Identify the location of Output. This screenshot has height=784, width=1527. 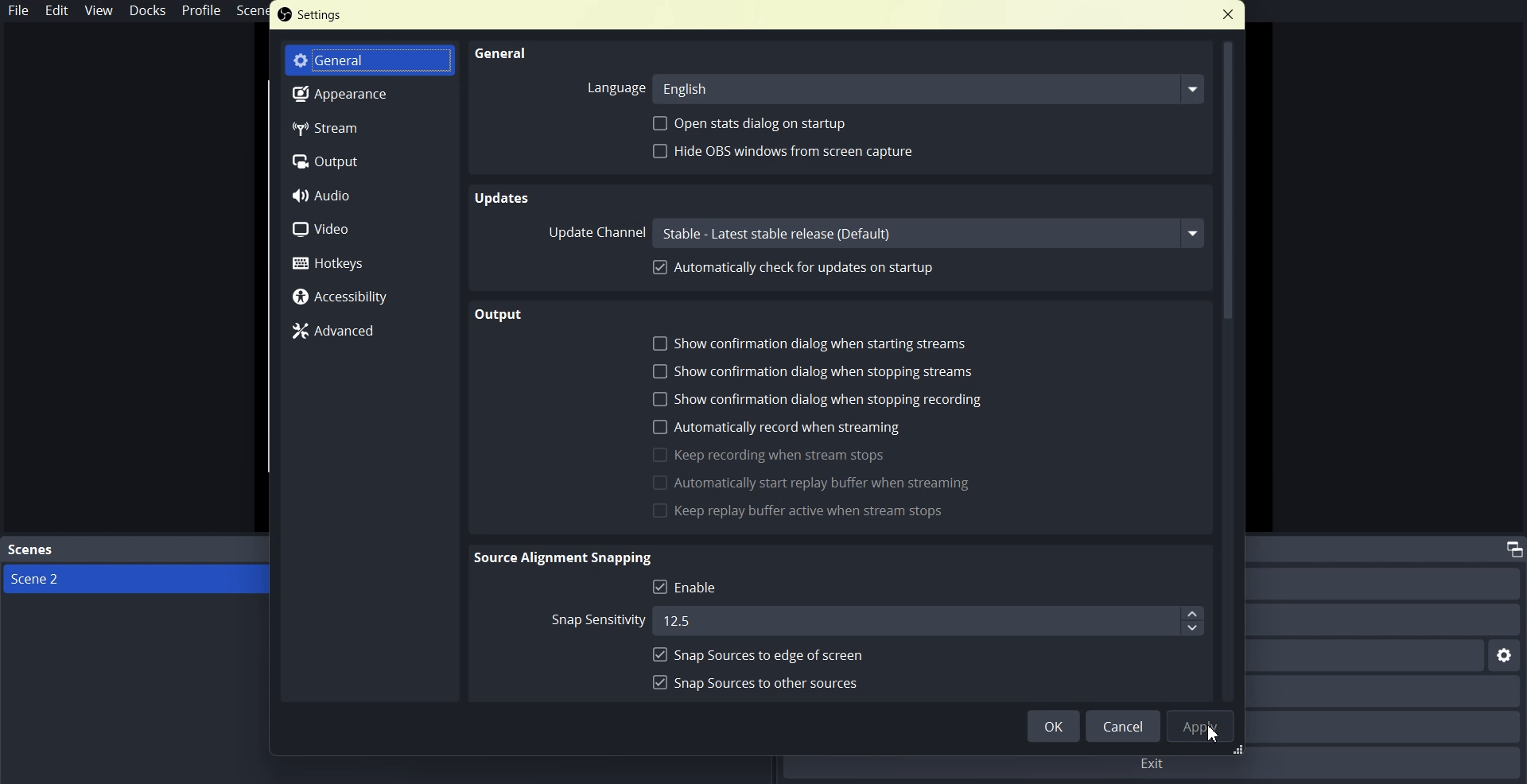
(369, 160).